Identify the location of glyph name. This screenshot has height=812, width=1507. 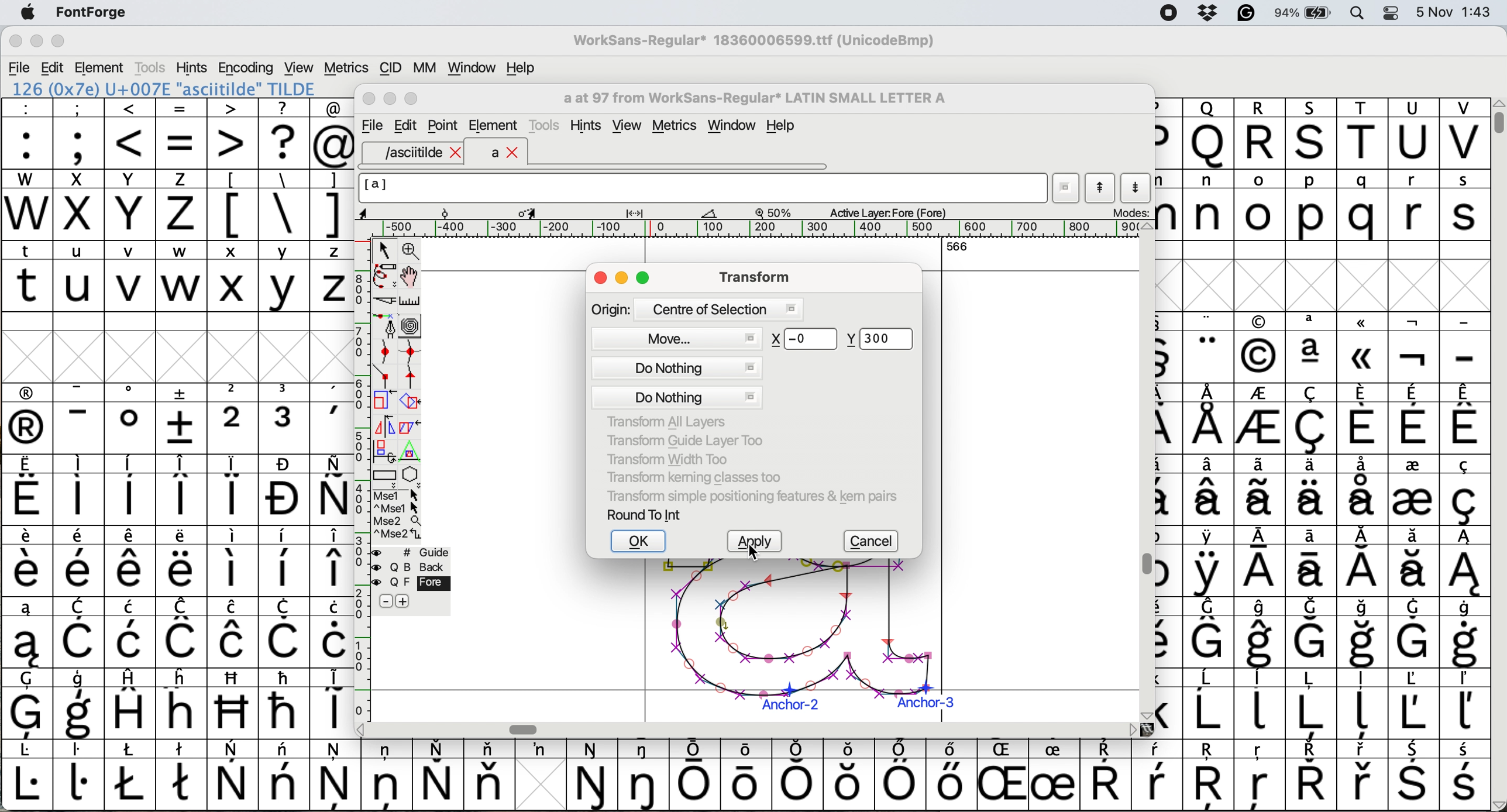
(701, 188).